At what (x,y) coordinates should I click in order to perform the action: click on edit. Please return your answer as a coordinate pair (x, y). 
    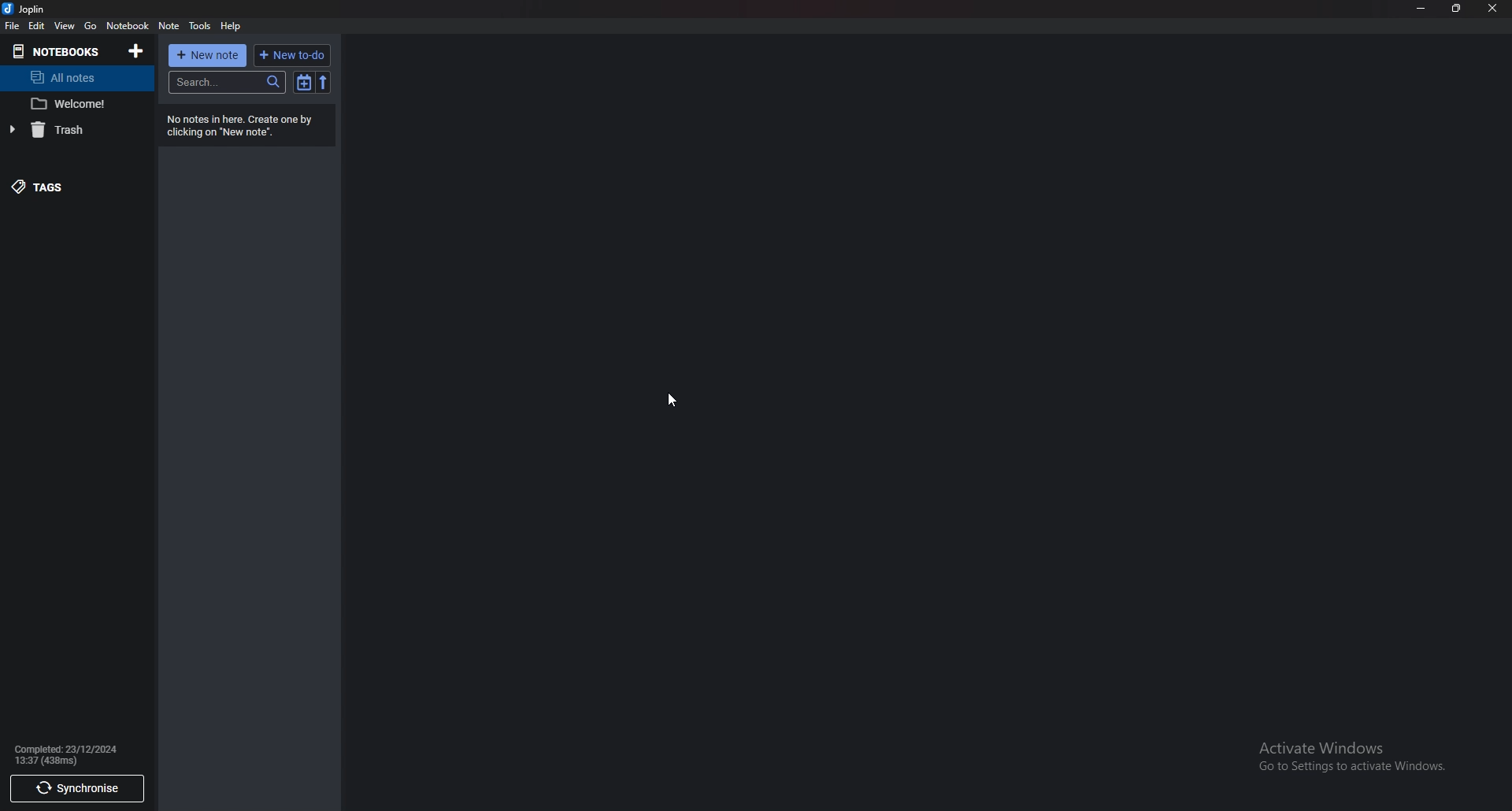
    Looking at the image, I should click on (38, 26).